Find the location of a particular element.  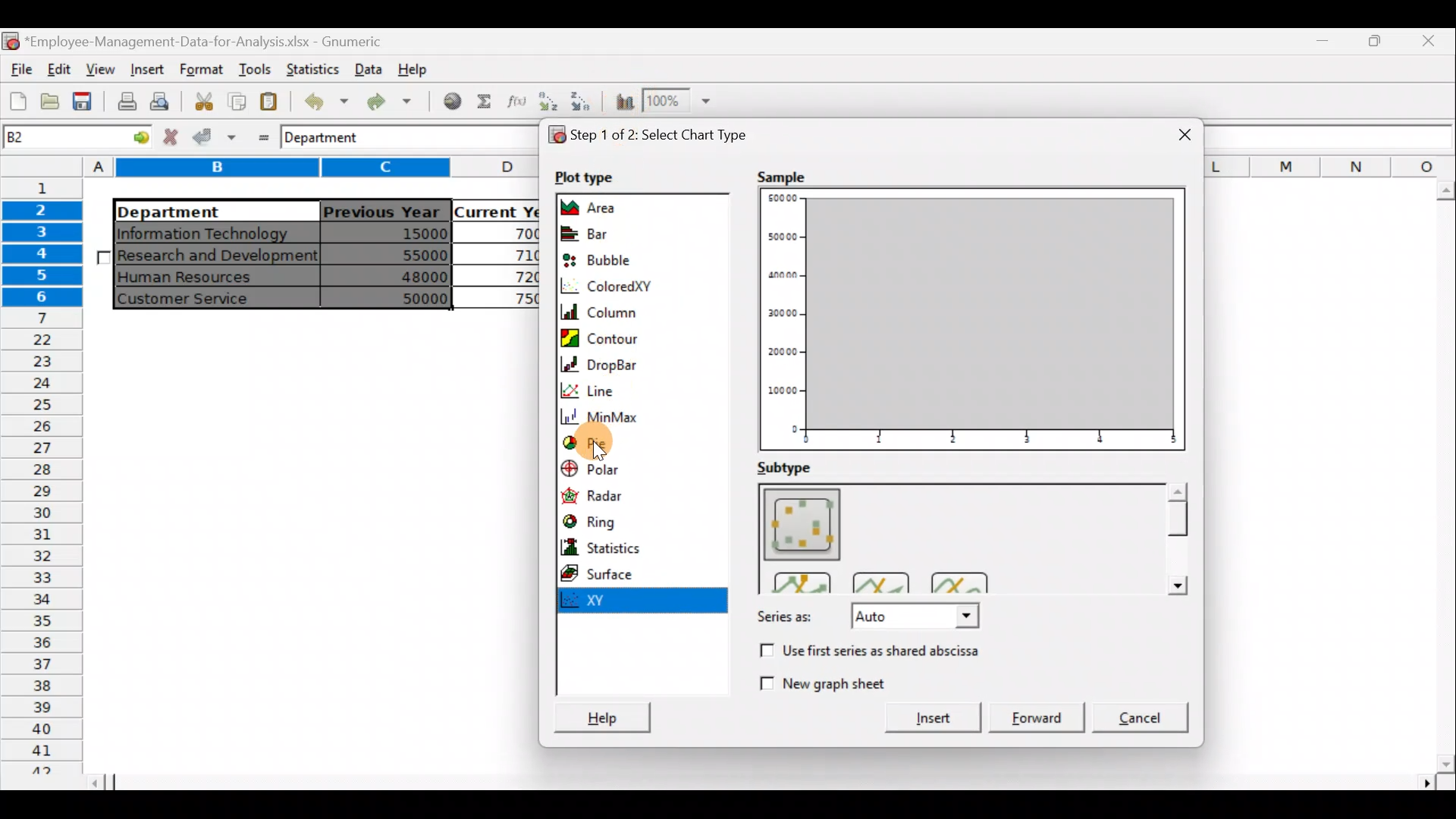

Format is located at coordinates (199, 70).